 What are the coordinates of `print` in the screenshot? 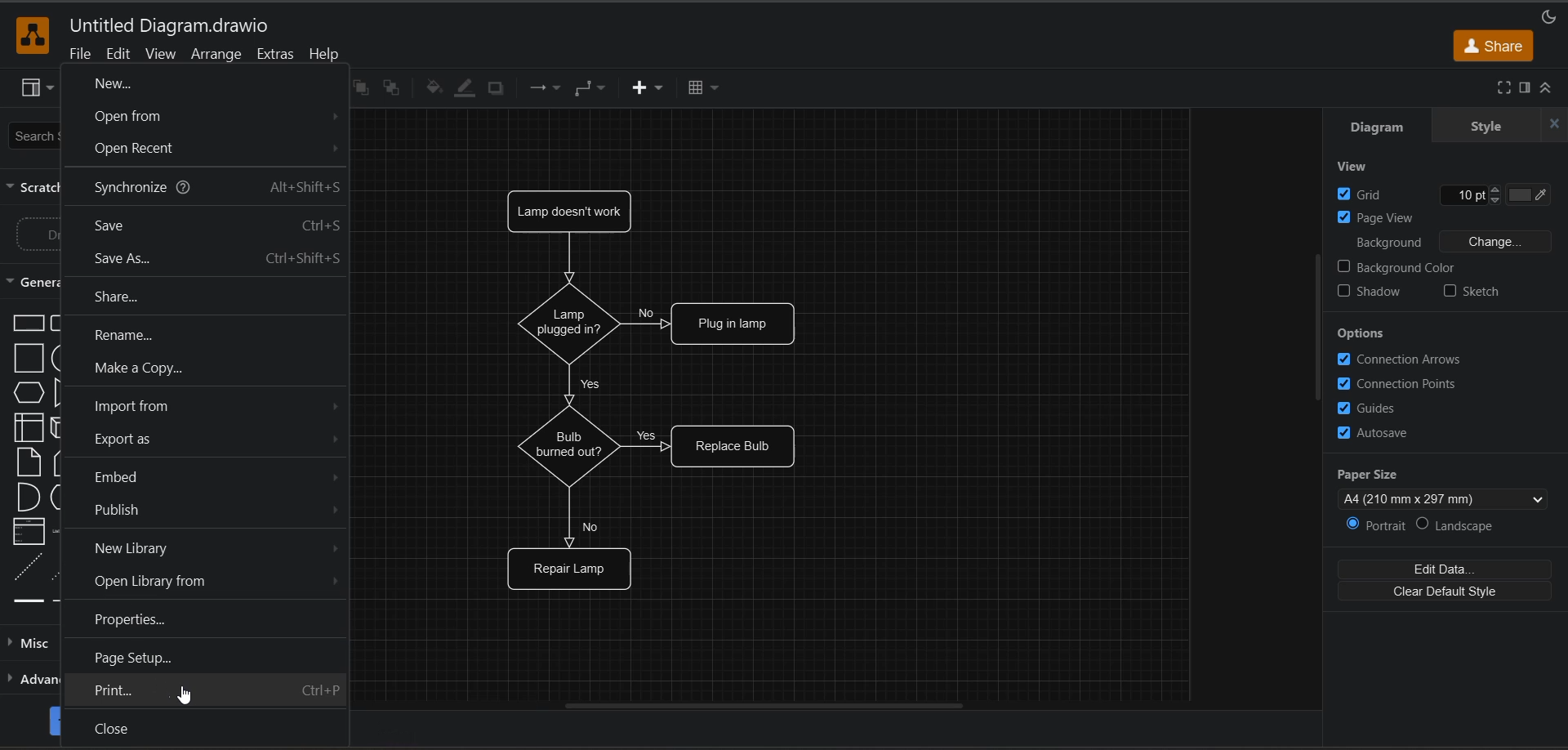 It's located at (214, 689).